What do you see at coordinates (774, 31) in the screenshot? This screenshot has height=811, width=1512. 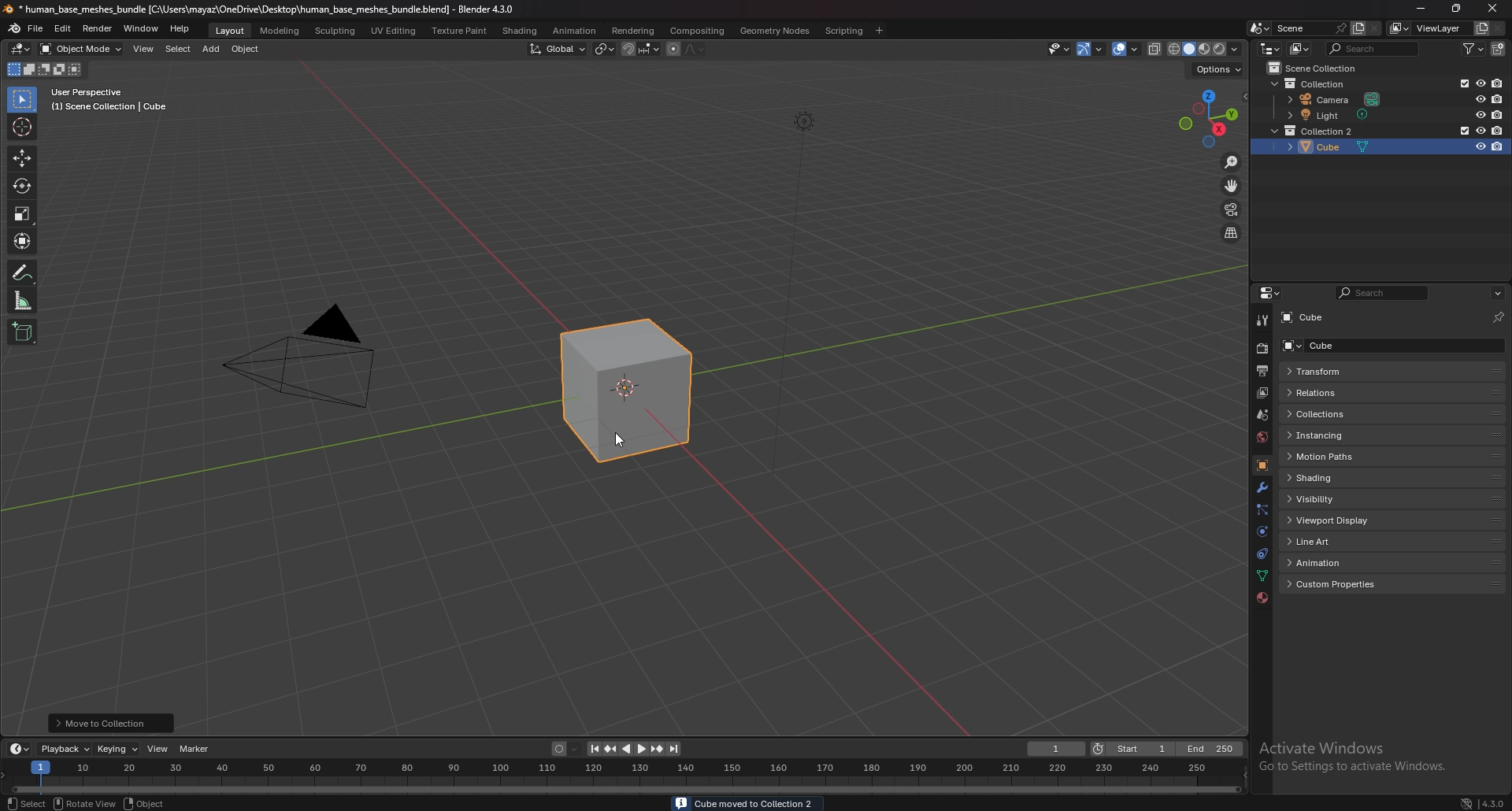 I see `geometry nodes` at bounding box center [774, 31].